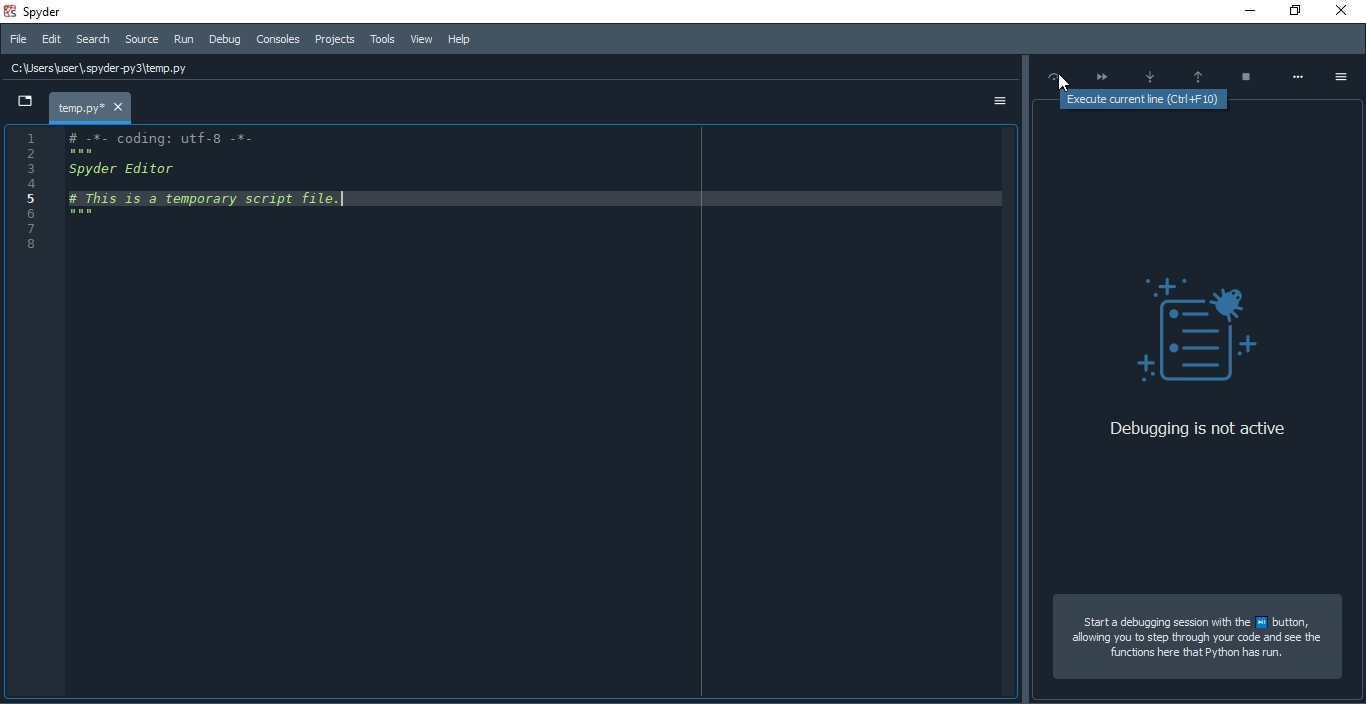 The image size is (1366, 704). Describe the element at coordinates (1061, 86) in the screenshot. I see `cursor` at that location.